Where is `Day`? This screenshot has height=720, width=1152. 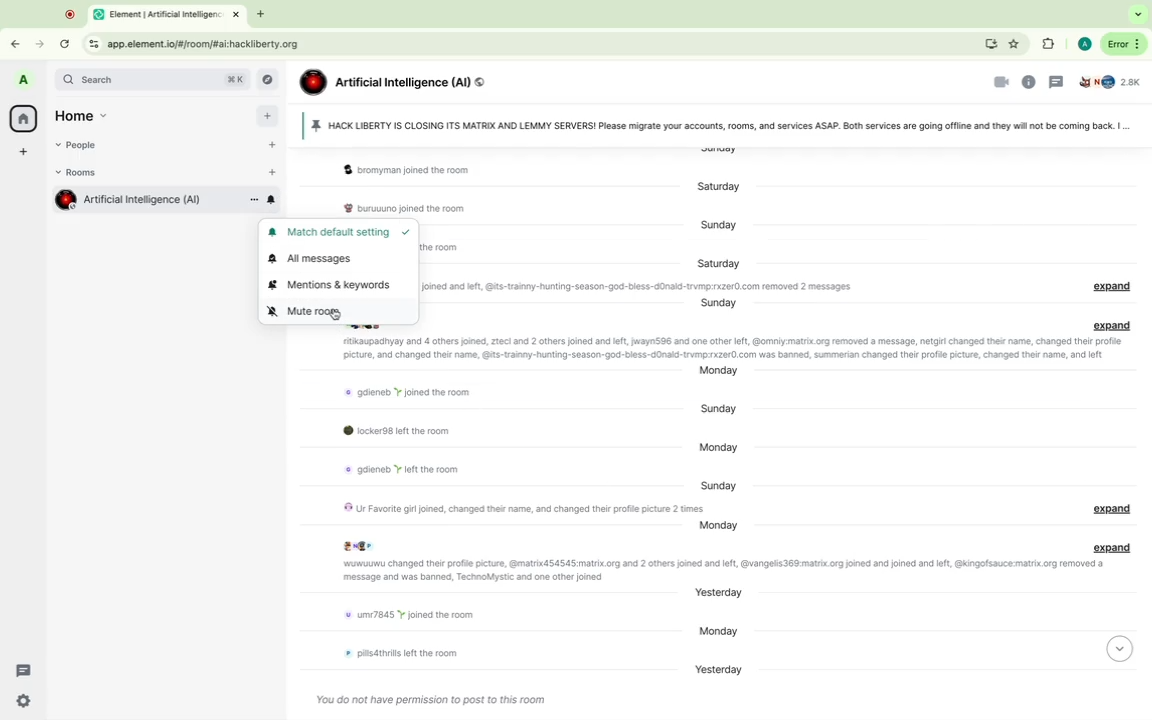
Day is located at coordinates (714, 187).